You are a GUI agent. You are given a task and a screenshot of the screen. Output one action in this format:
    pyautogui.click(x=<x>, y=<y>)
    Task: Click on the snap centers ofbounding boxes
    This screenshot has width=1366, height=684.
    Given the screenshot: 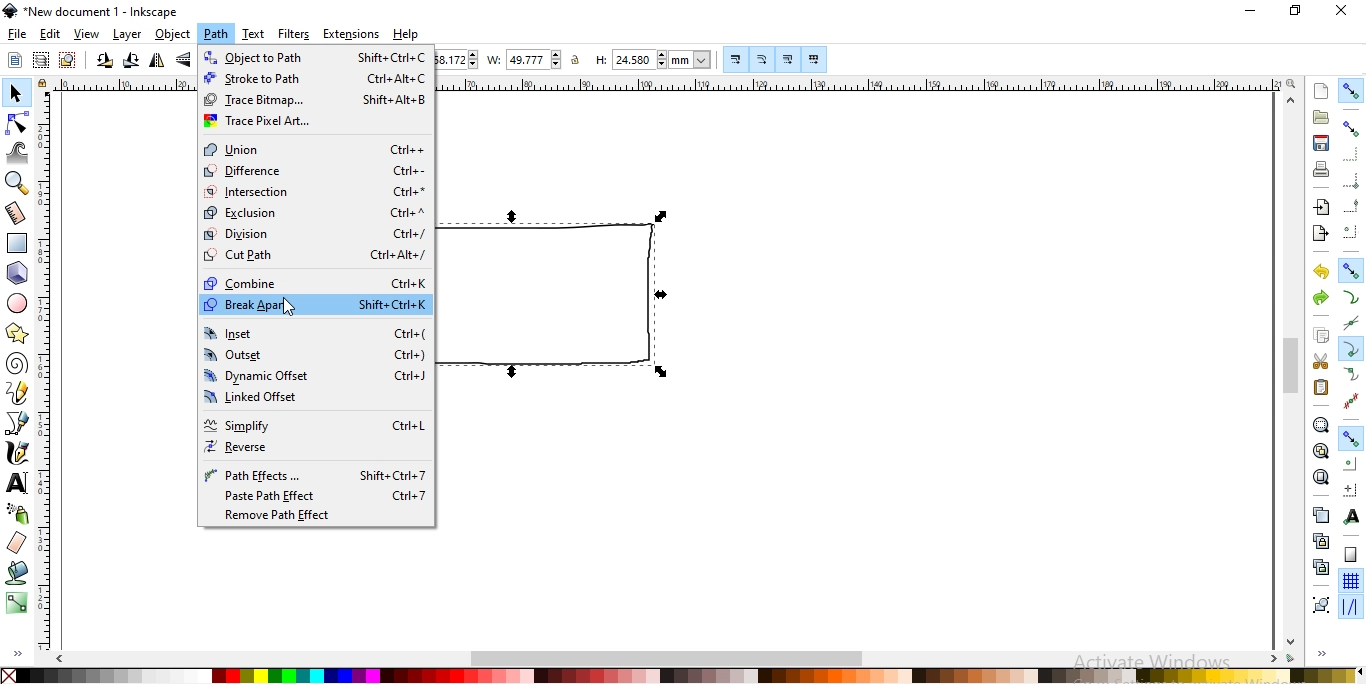 What is the action you would take?
    pyautogui.click(x=1352, y=230)
    